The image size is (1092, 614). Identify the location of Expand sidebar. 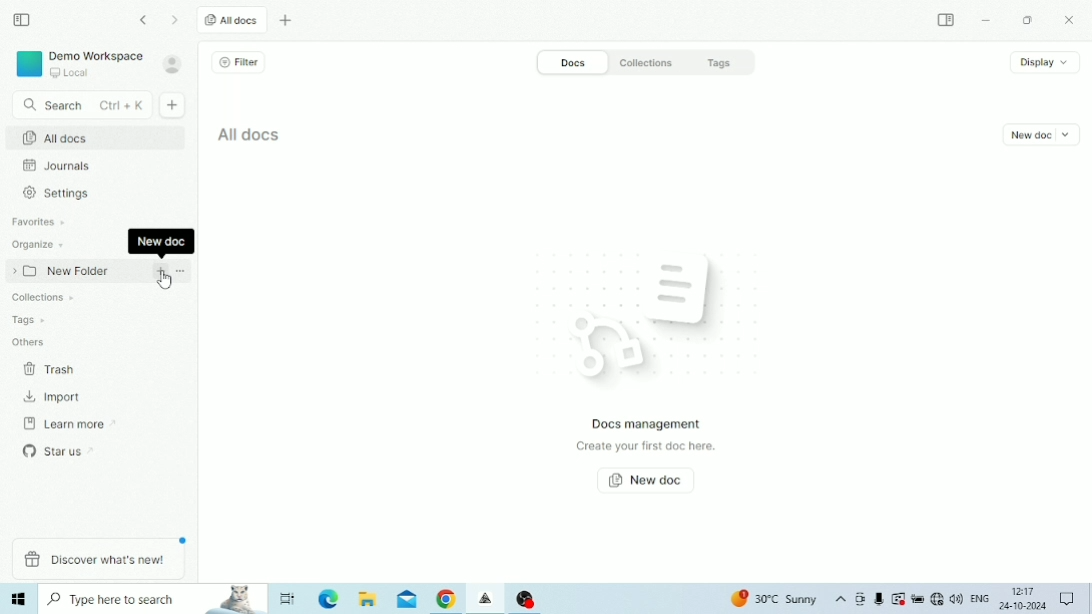
(947, 19).